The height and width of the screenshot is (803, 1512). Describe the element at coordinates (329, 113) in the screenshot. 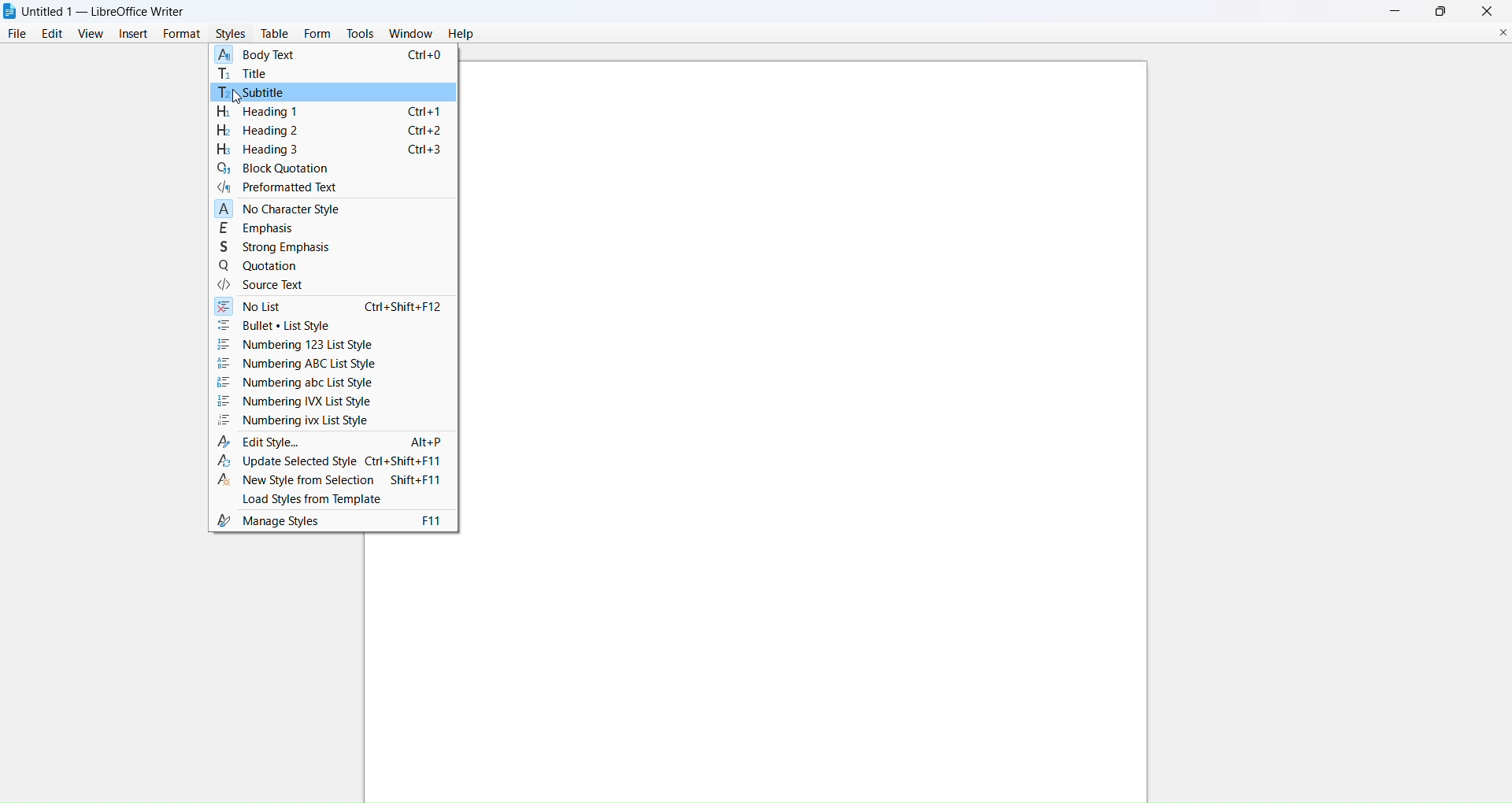

I see `heading         Ctrl+1` at that location.